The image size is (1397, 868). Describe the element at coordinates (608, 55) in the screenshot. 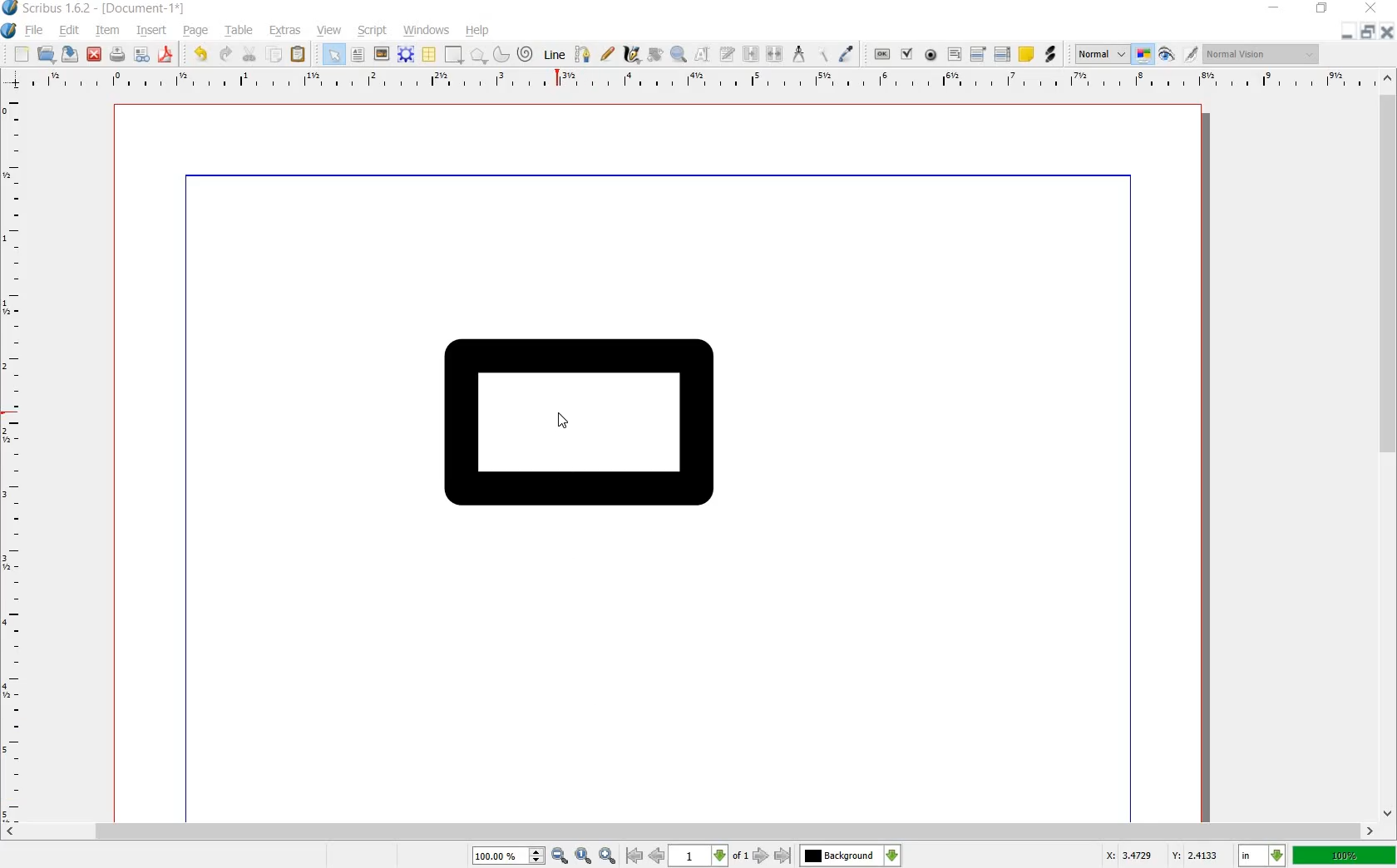

I see `freehand line` at that location.